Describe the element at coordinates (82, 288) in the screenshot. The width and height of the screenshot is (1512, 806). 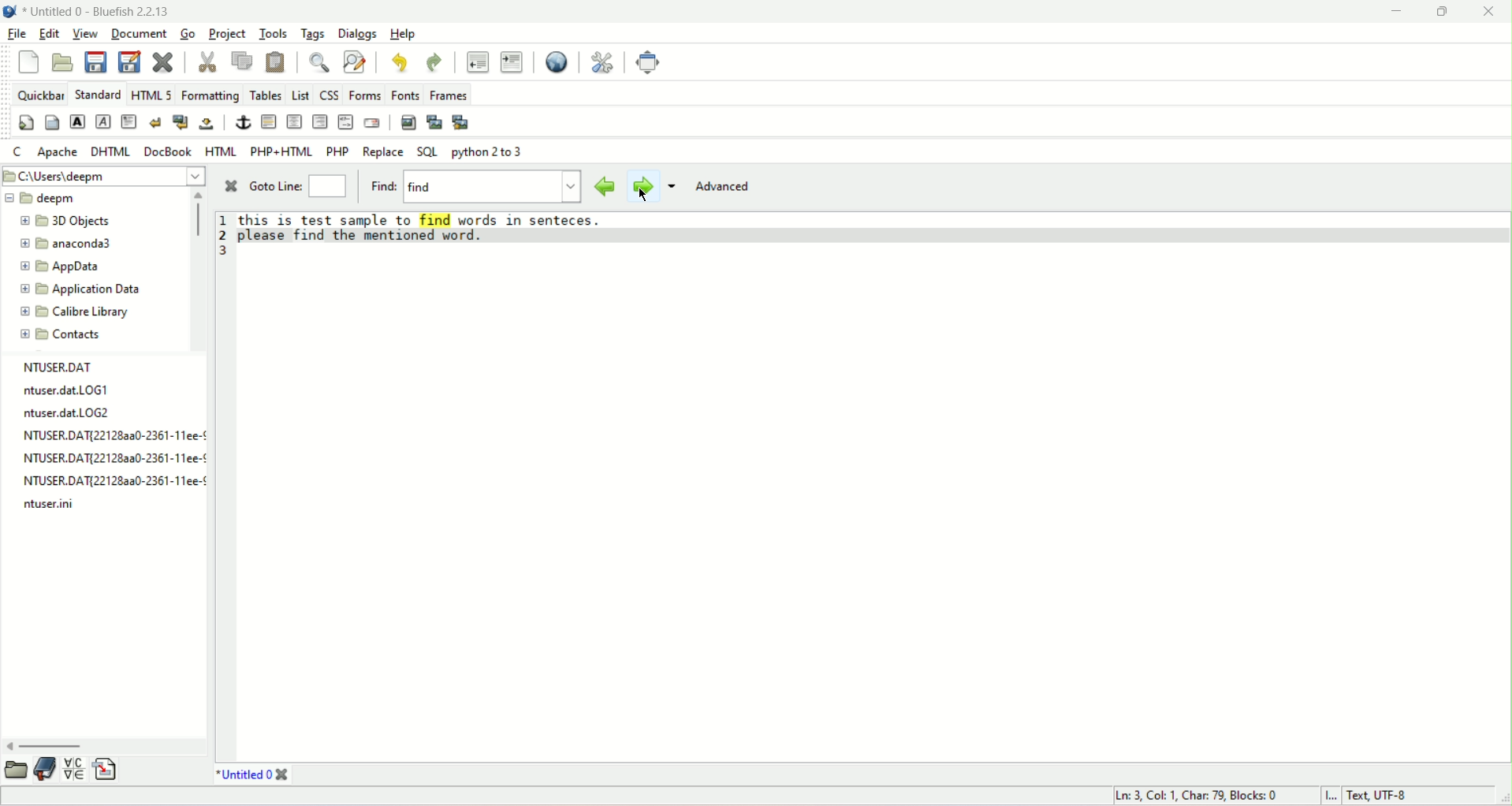
I see `application data` at that location.